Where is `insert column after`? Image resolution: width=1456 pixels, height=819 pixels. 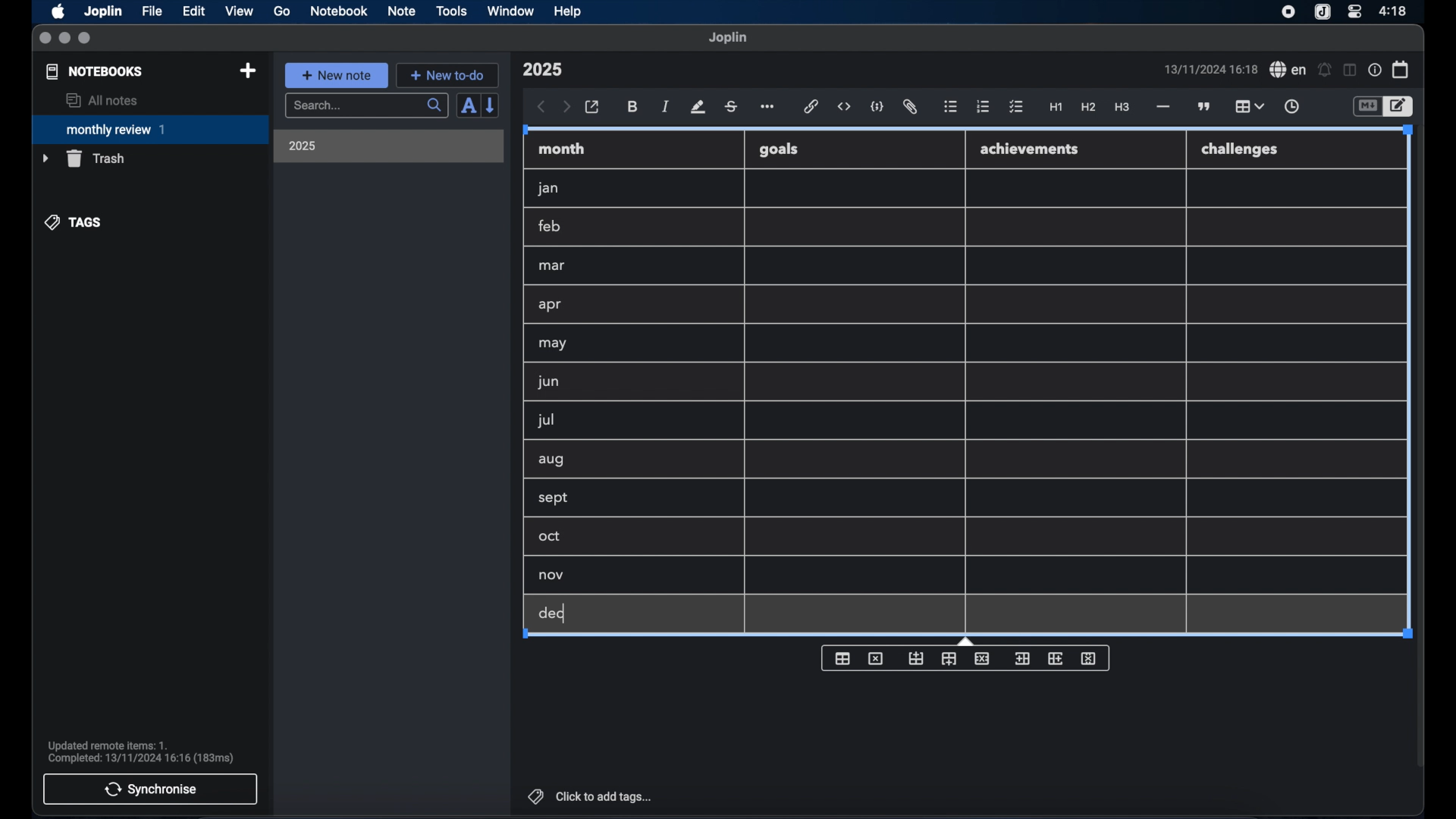 insert column after is located at coordinates (1058, 657).